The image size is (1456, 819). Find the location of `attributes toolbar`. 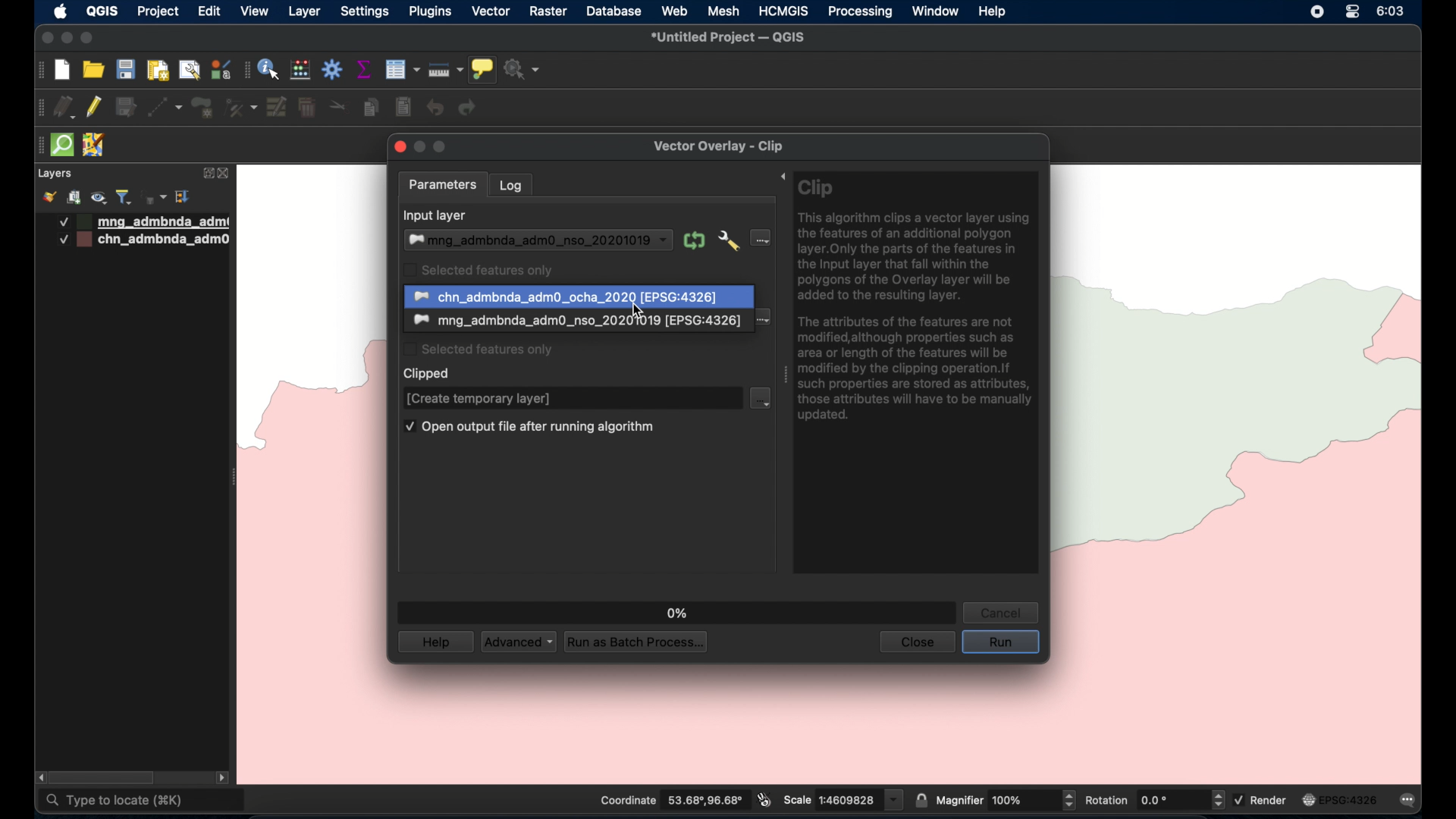

attributes toolbar is located at coordinates (246, 71).